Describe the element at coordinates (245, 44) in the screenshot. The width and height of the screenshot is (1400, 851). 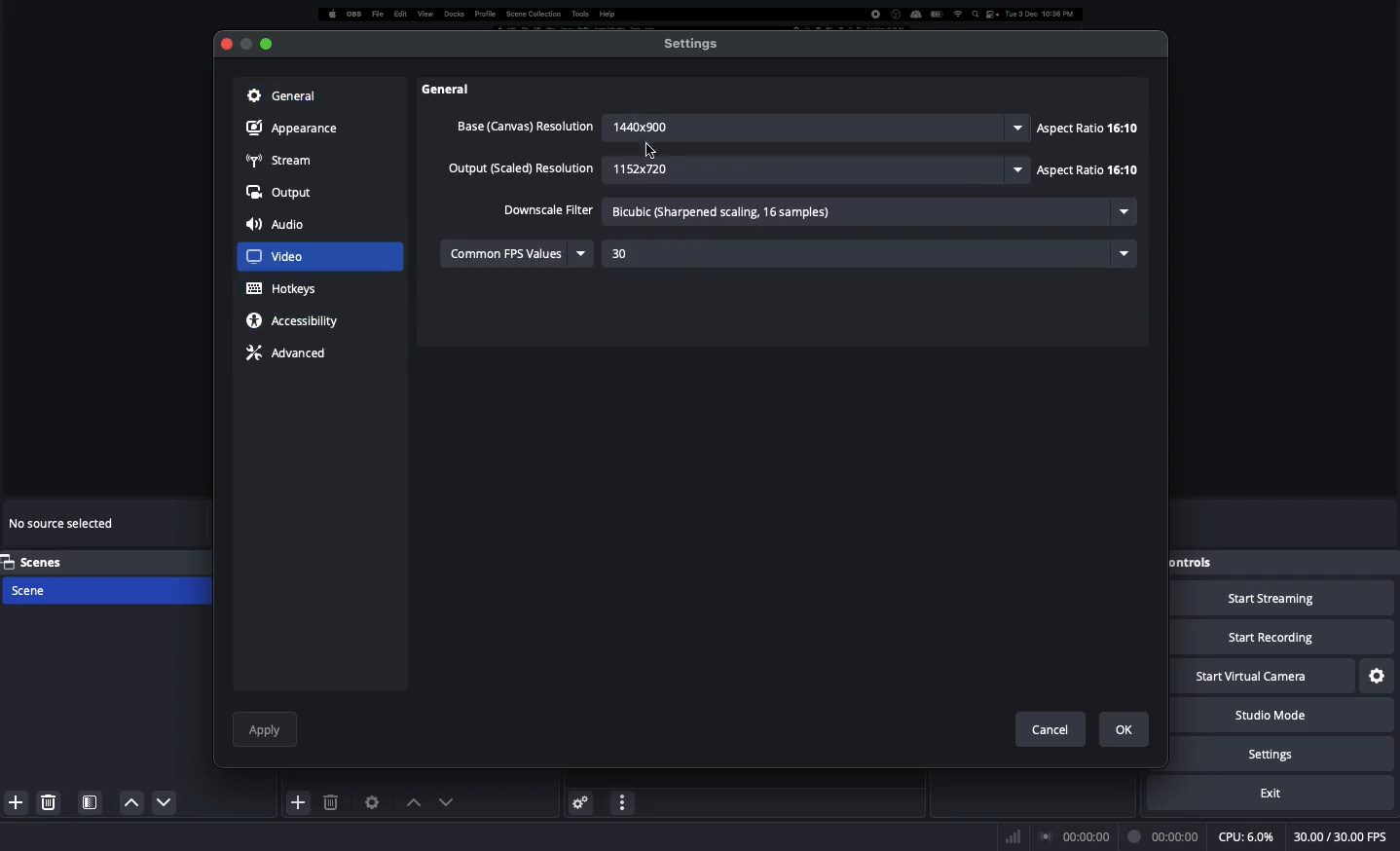
I see `Button` at that location.